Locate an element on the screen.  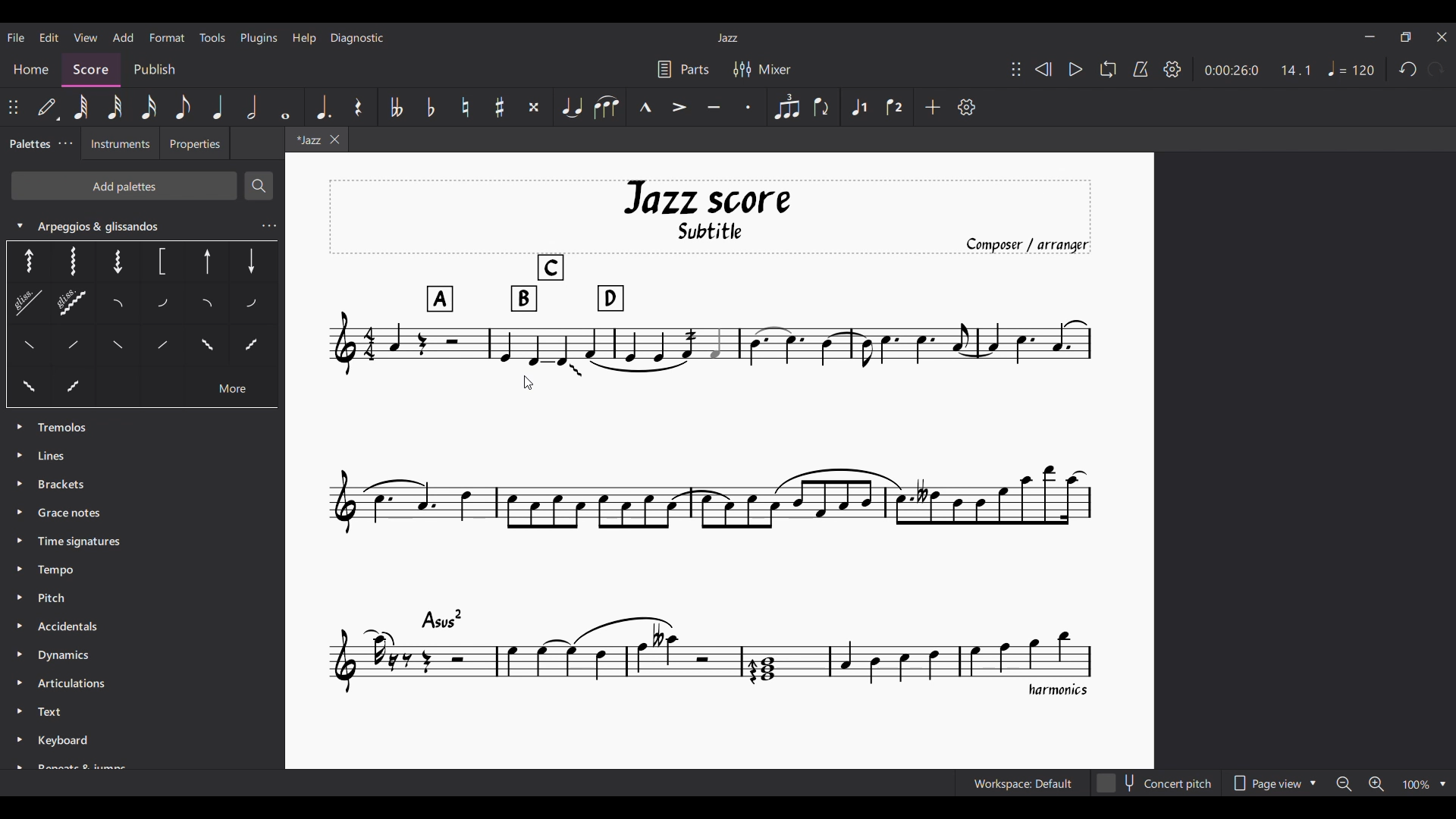
Voice 1 is located at coordinates (859, 106).